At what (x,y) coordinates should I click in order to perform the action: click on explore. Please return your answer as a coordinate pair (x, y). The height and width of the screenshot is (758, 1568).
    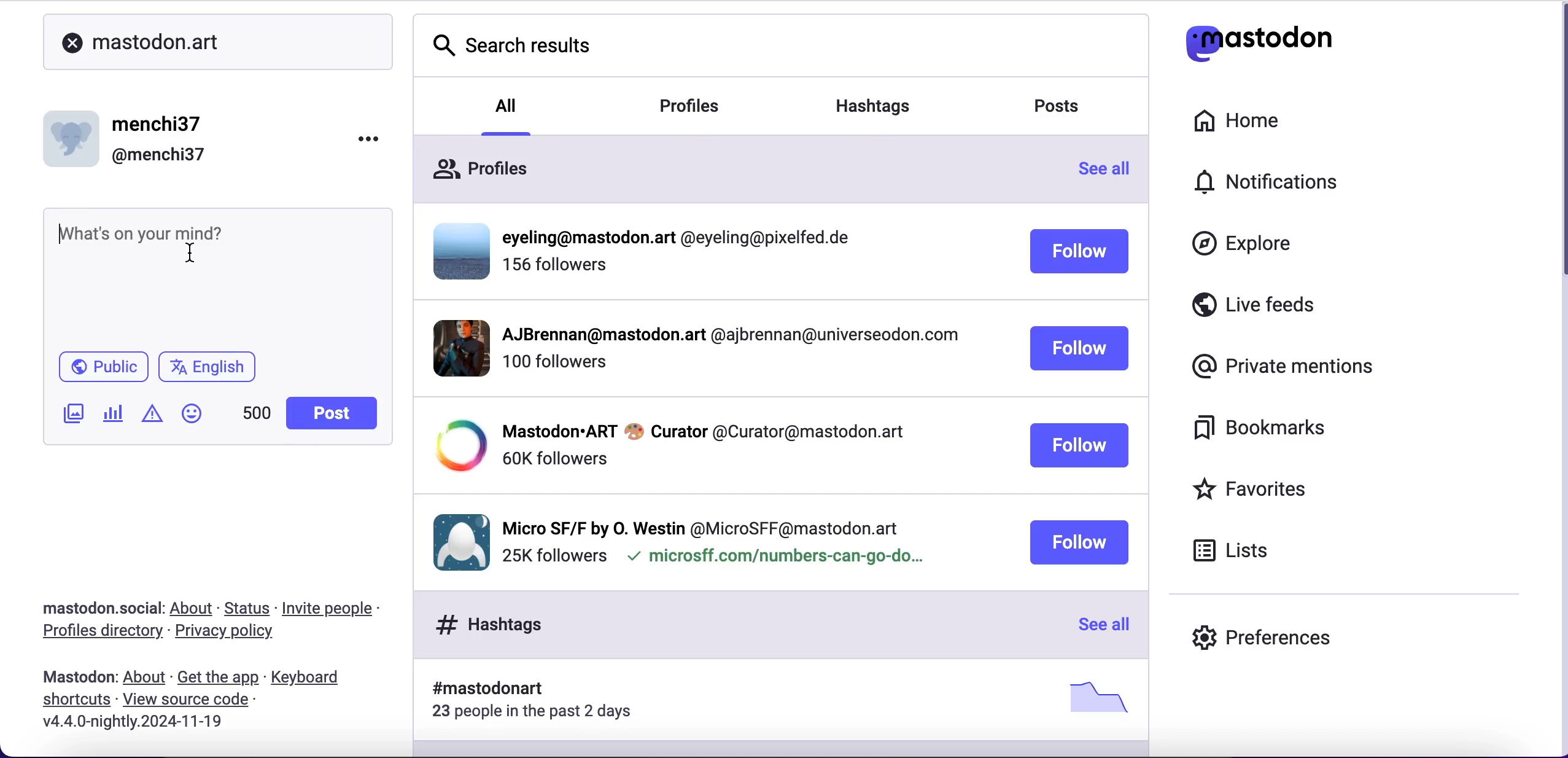
    Looking at the image, I should click on (1236, 244).